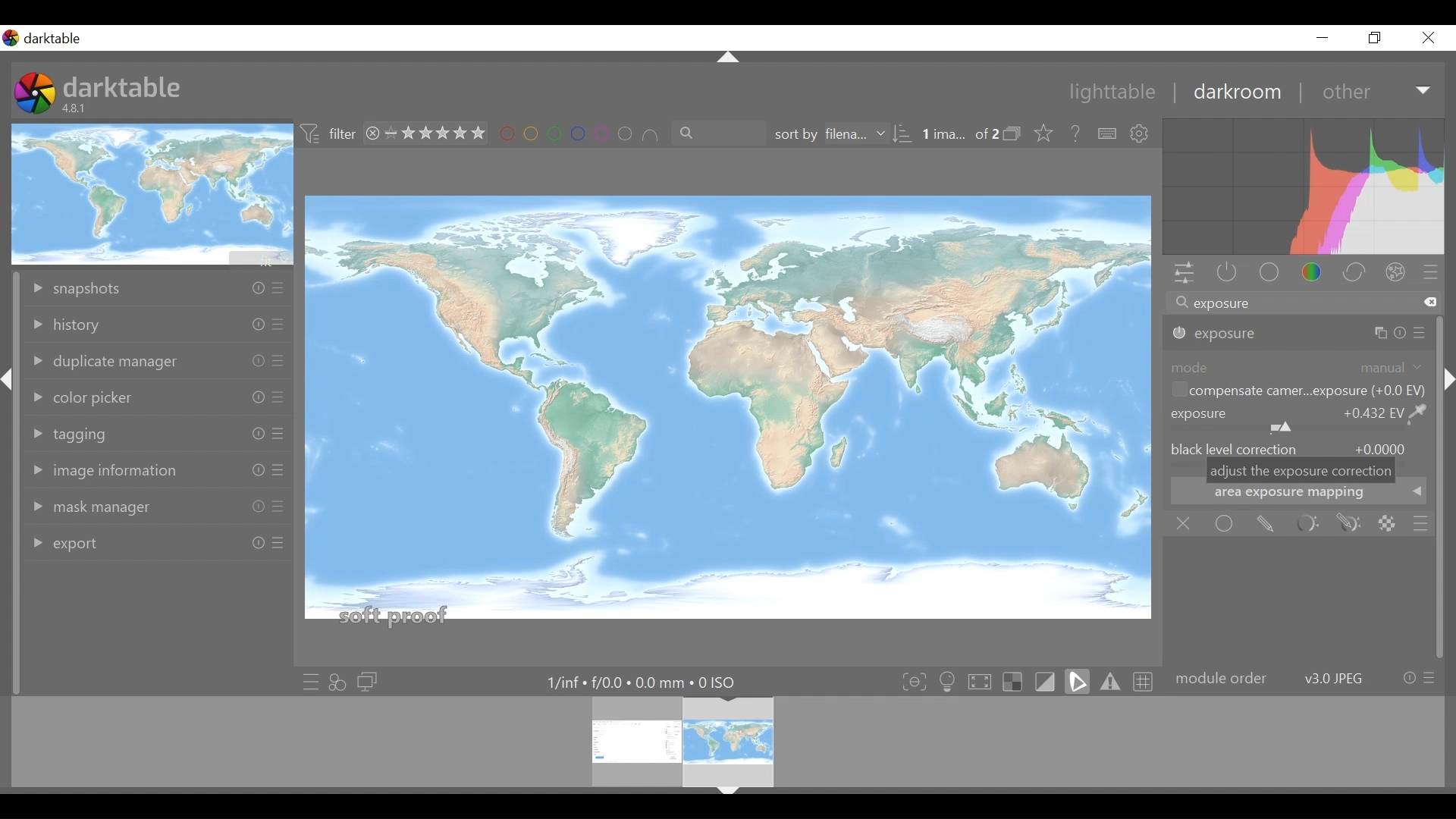 This screenshot has width=1456, height=819. Describe the element at coordinates (337, 682) in the screenshot. I see `quick access for appyling any of styles ` at that location.